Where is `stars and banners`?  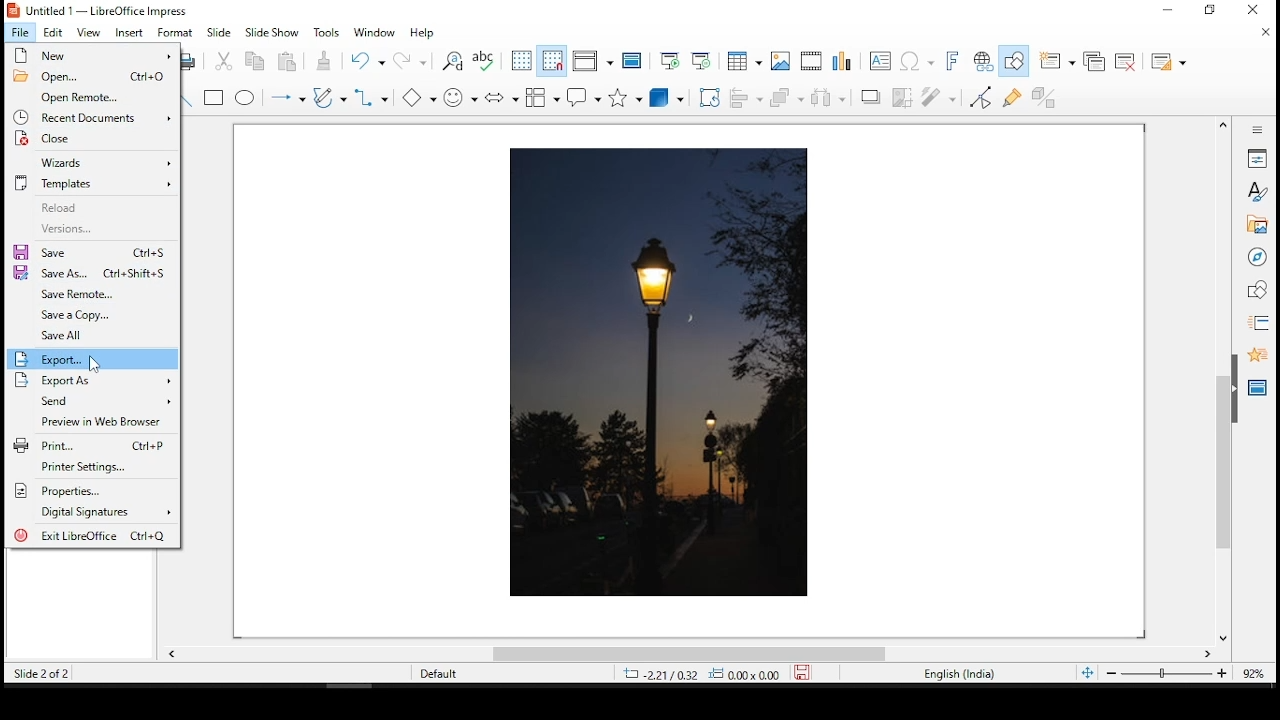
stars and banners is located at coordinates (623, 99).